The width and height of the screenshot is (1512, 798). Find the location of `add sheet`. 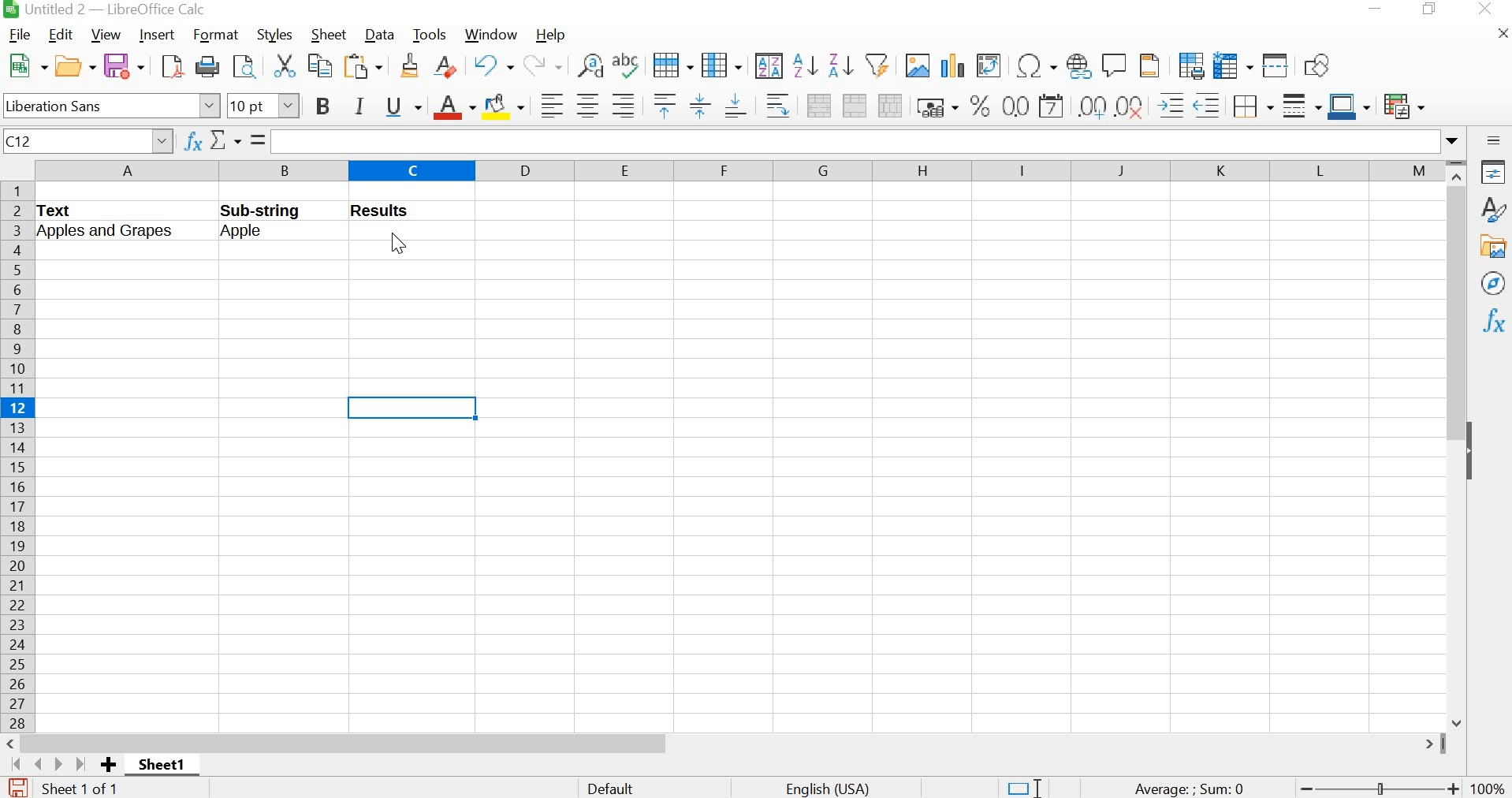

add sheet is located at coordinates (111, 766).